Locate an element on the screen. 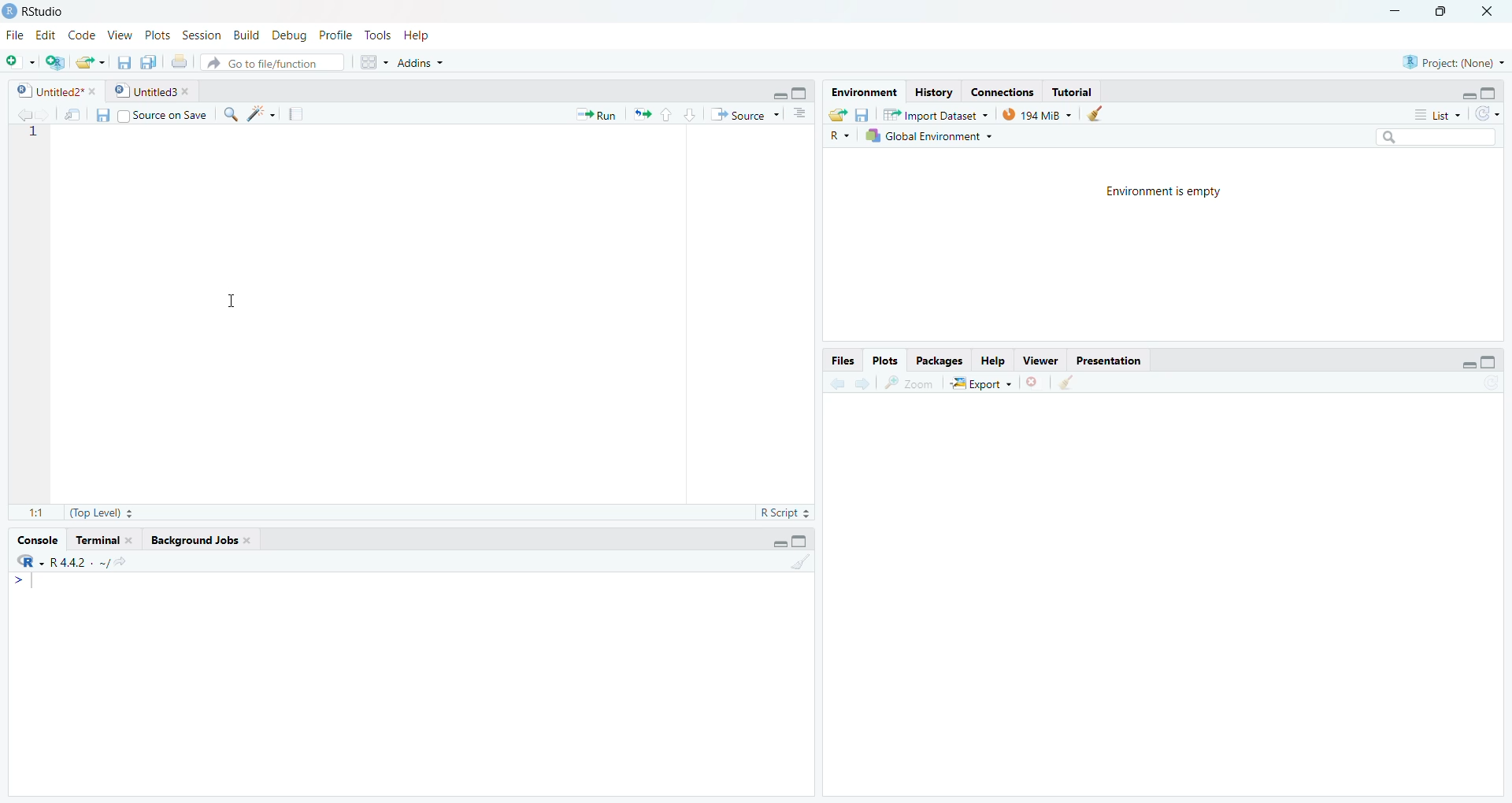 The width and height of the screenshot is (1512, 803). move back is located at coordinates (22, 114).